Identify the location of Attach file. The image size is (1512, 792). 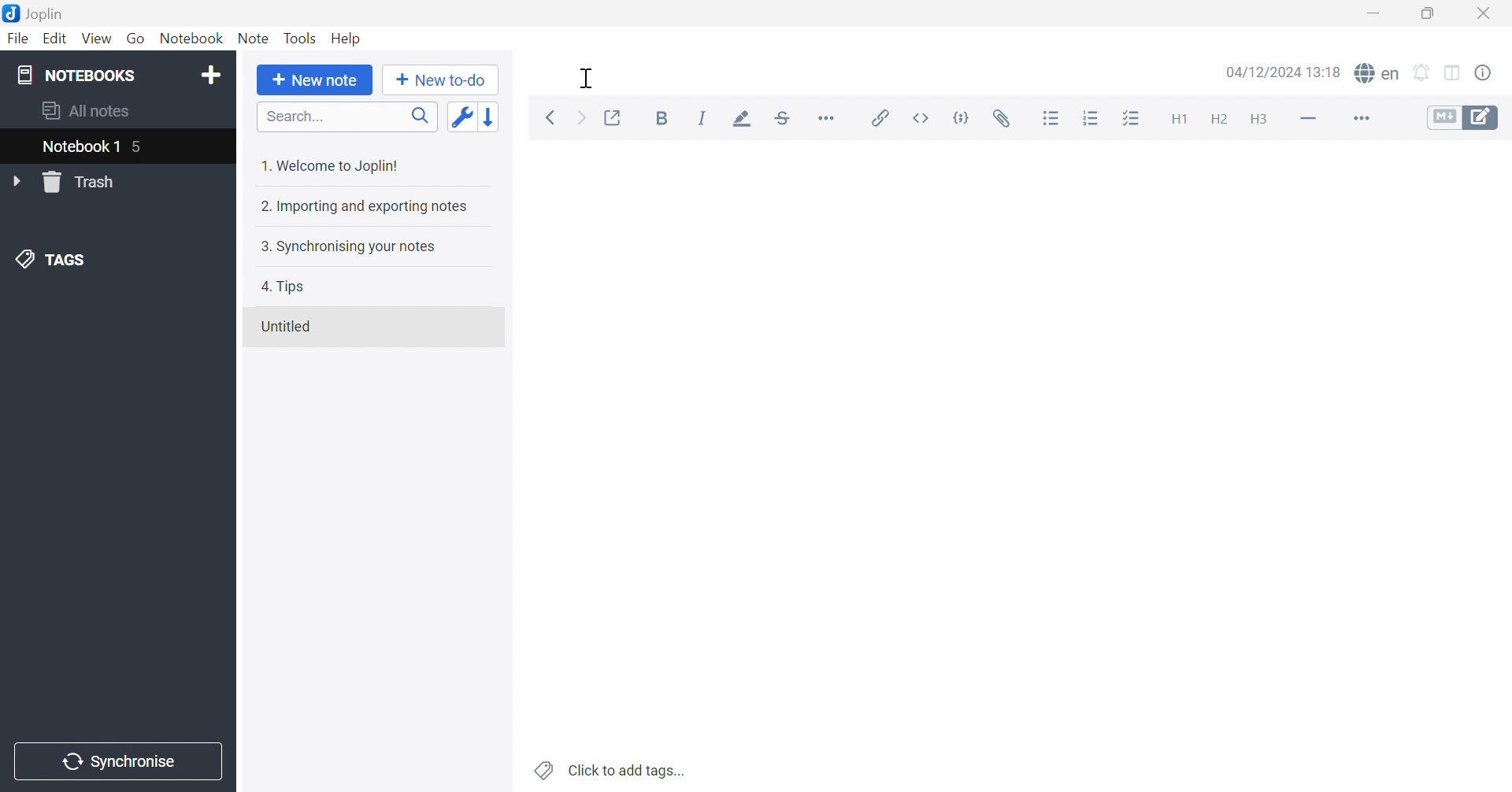
(999, 119).